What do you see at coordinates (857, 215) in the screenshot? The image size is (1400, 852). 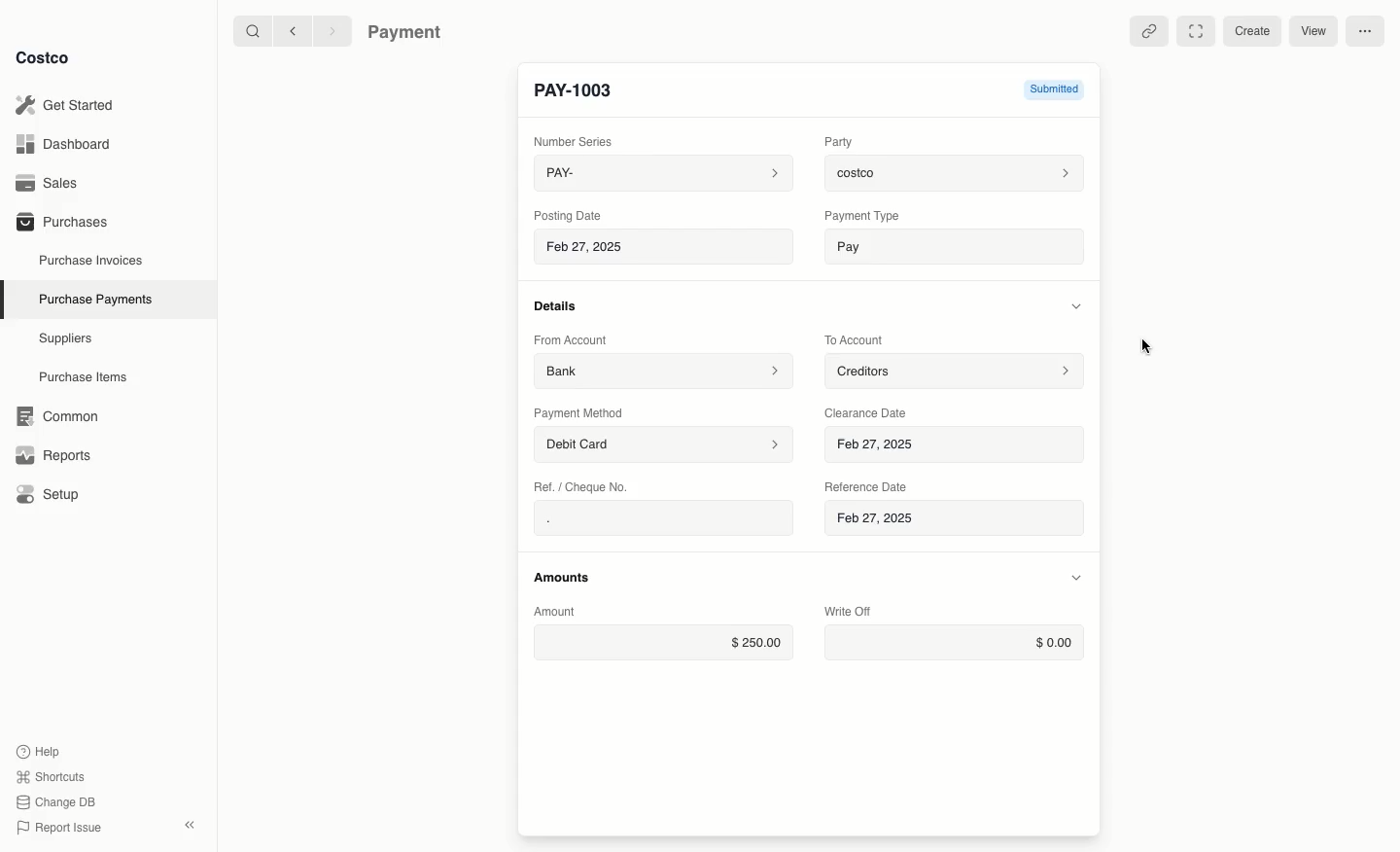 I see `‘Payment Type` at bounding box center [857, 215].